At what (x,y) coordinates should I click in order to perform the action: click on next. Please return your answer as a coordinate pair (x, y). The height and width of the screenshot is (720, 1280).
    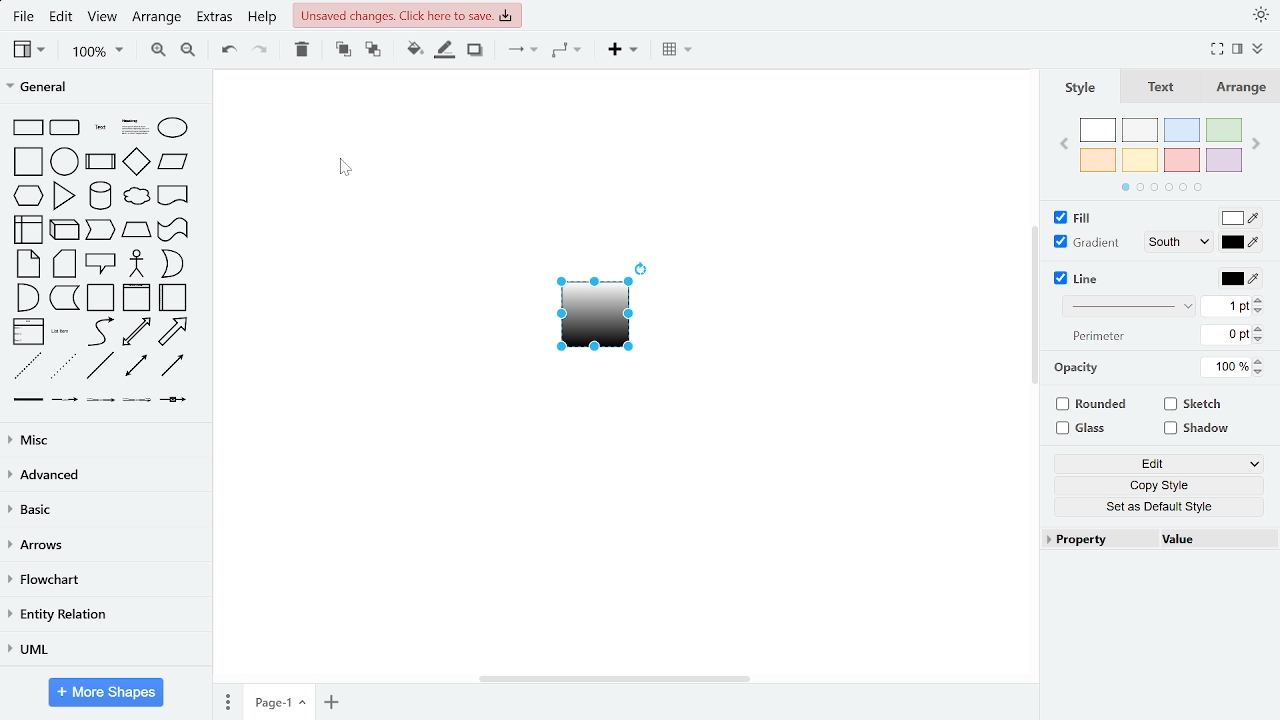
    Looking at the image, I should click on (1259, 146).